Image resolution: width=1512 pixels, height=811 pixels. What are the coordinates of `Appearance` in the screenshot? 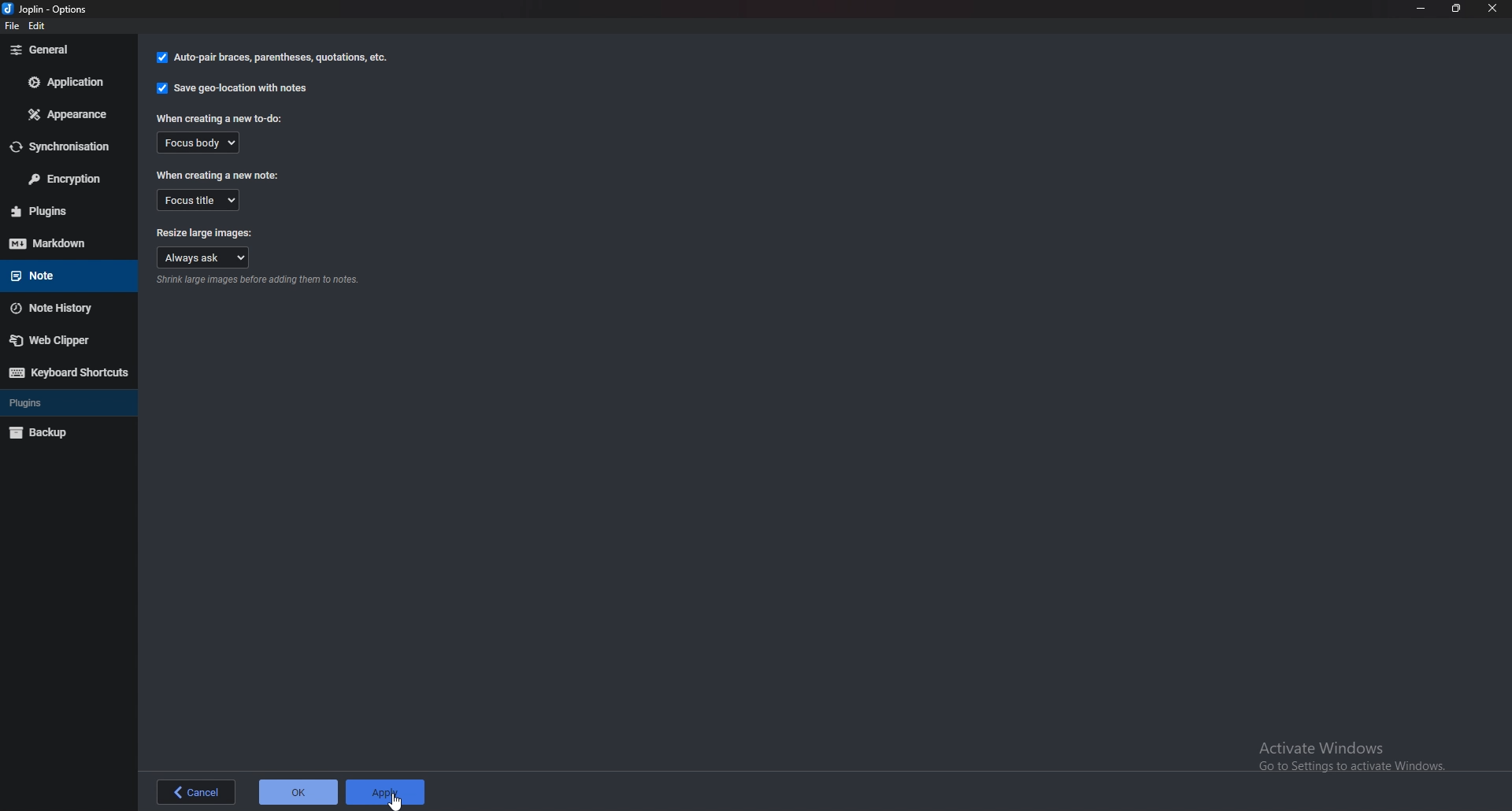 It's located at (65, 117).